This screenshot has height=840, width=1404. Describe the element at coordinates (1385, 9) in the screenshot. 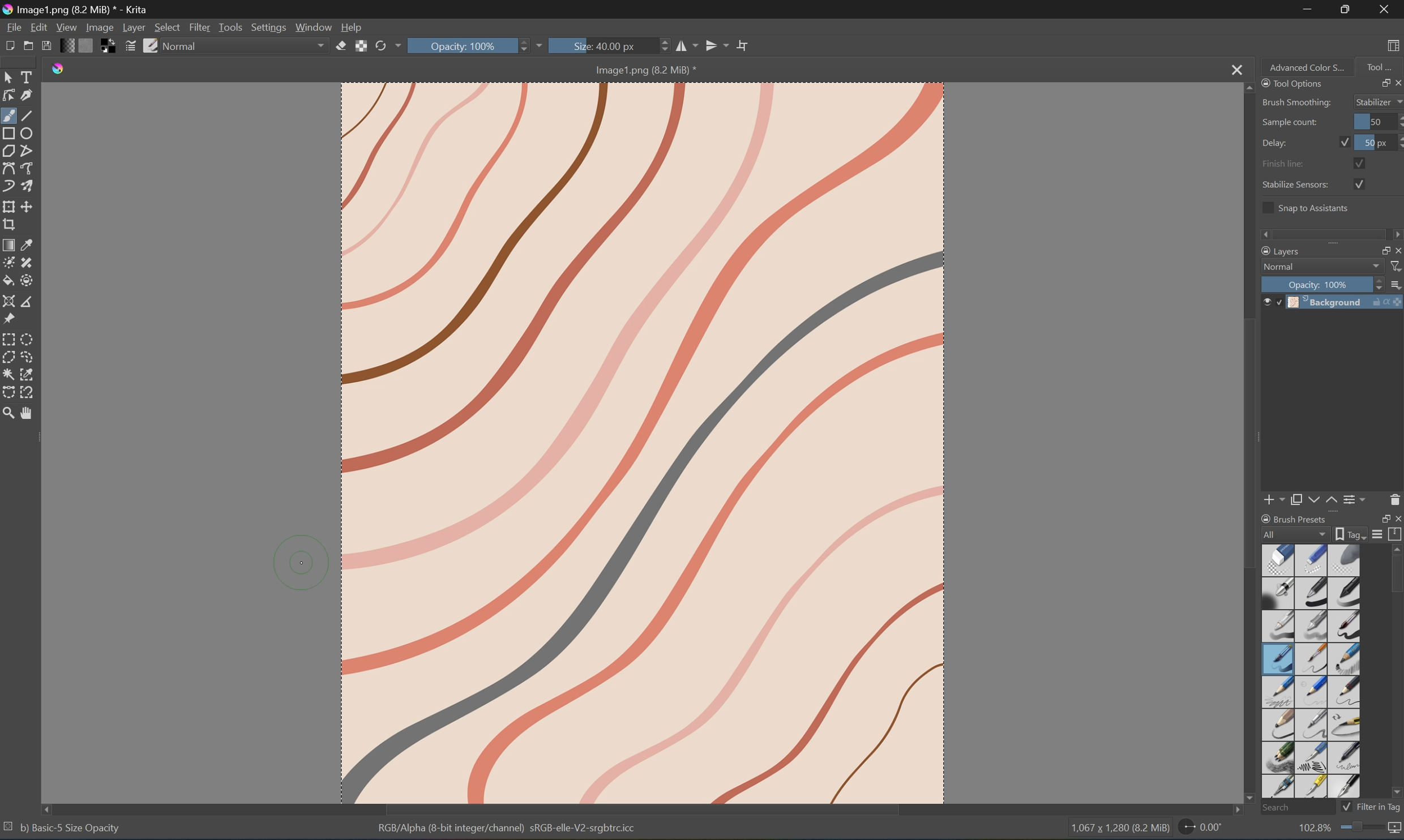

I see `Close` at that location.